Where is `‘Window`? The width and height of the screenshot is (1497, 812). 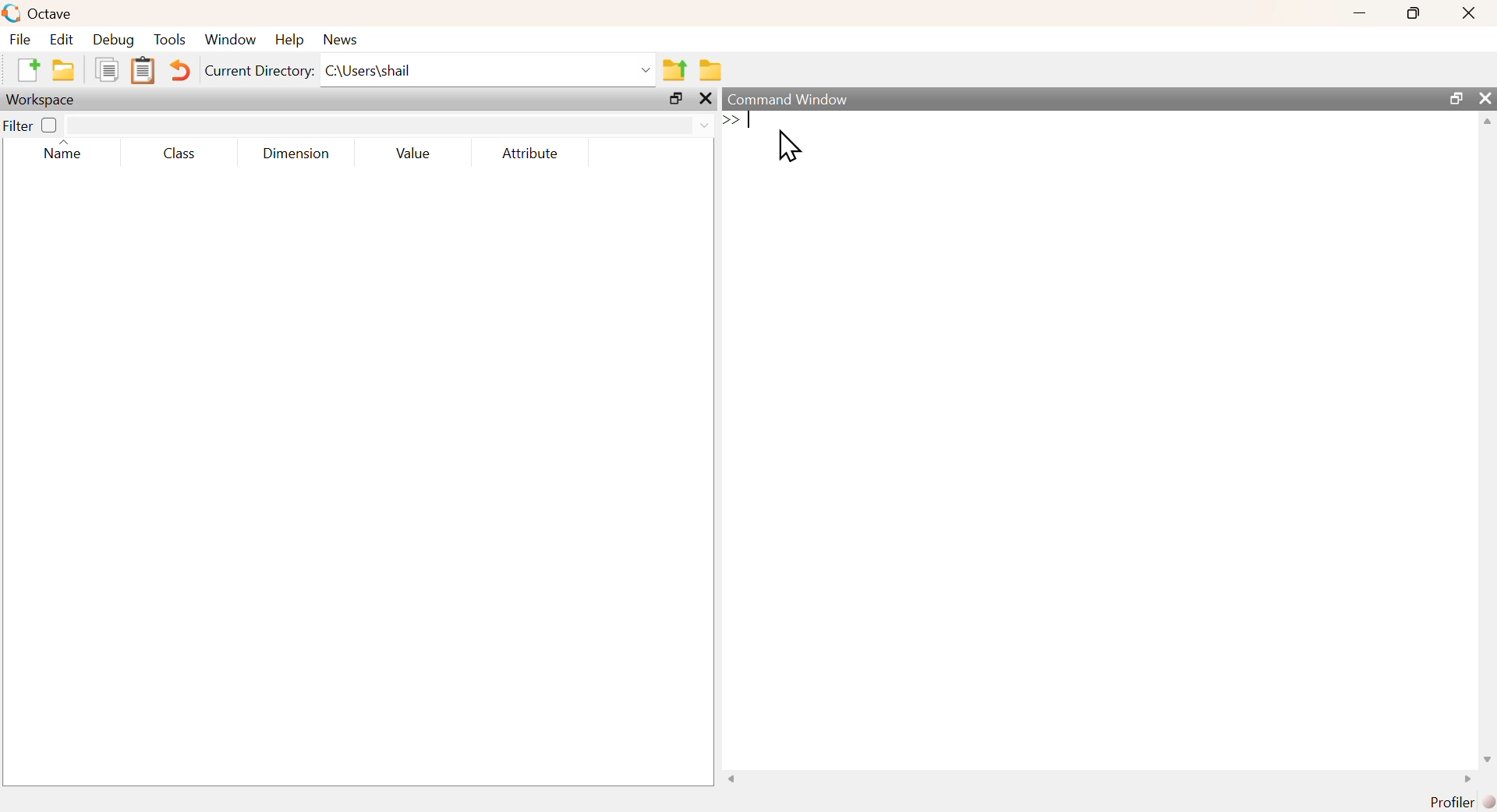 ‘Window is located at coordinates (228, 41).